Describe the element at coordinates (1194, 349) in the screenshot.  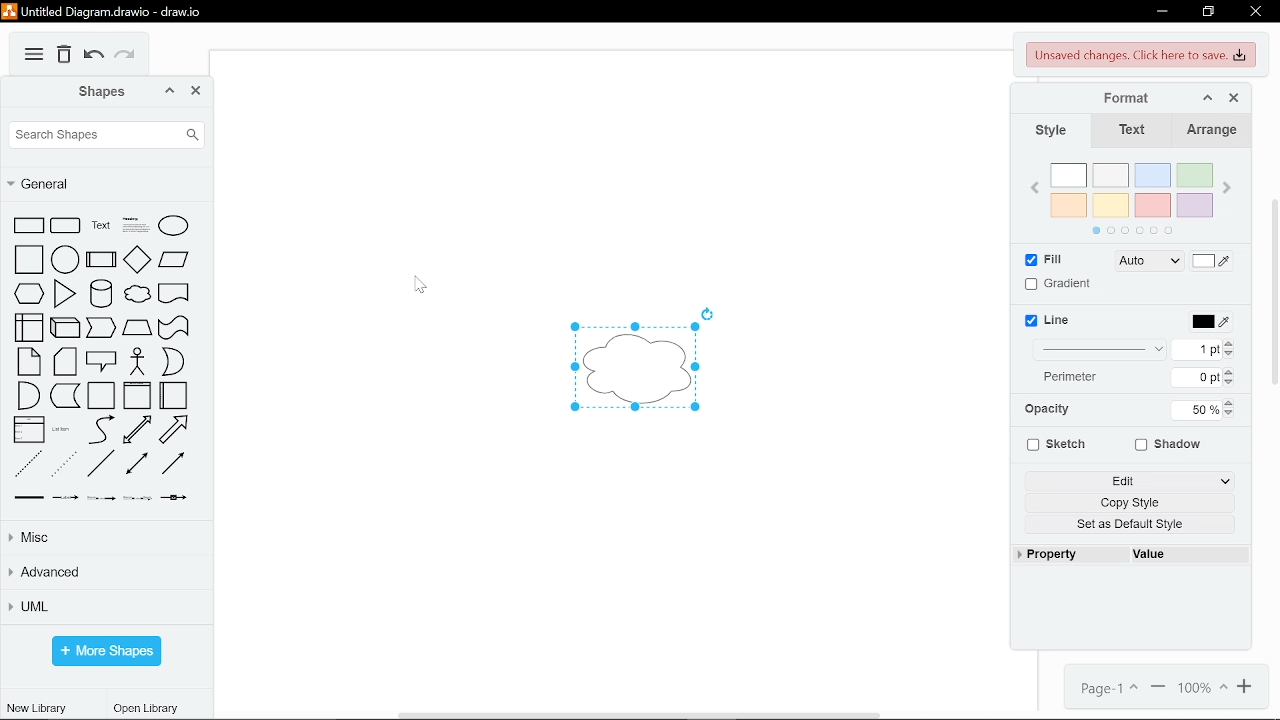
I see `current line width` at that location.